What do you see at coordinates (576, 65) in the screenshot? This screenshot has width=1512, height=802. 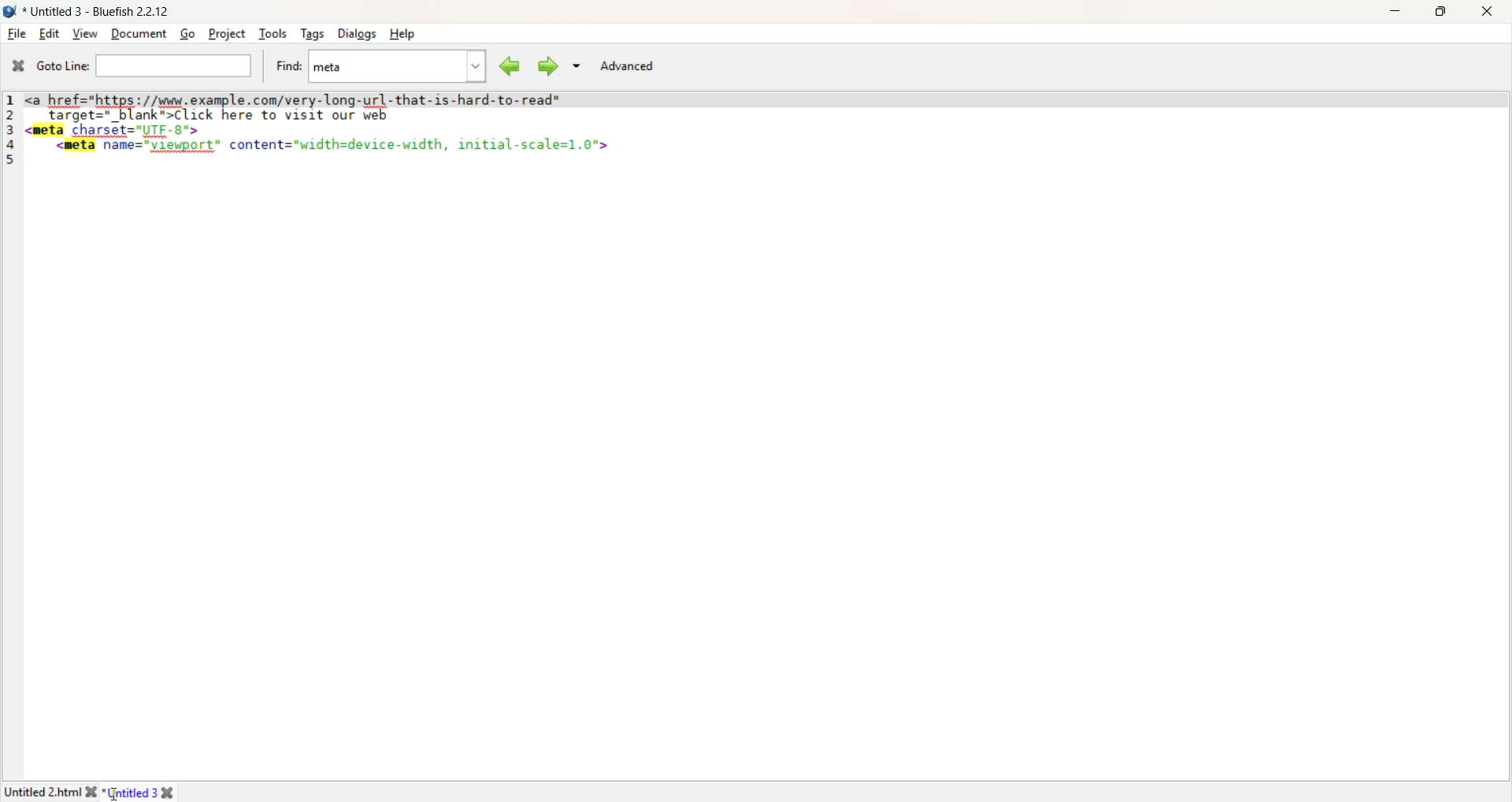 I see `Search Dropdown` at bounding box center [576, 65].